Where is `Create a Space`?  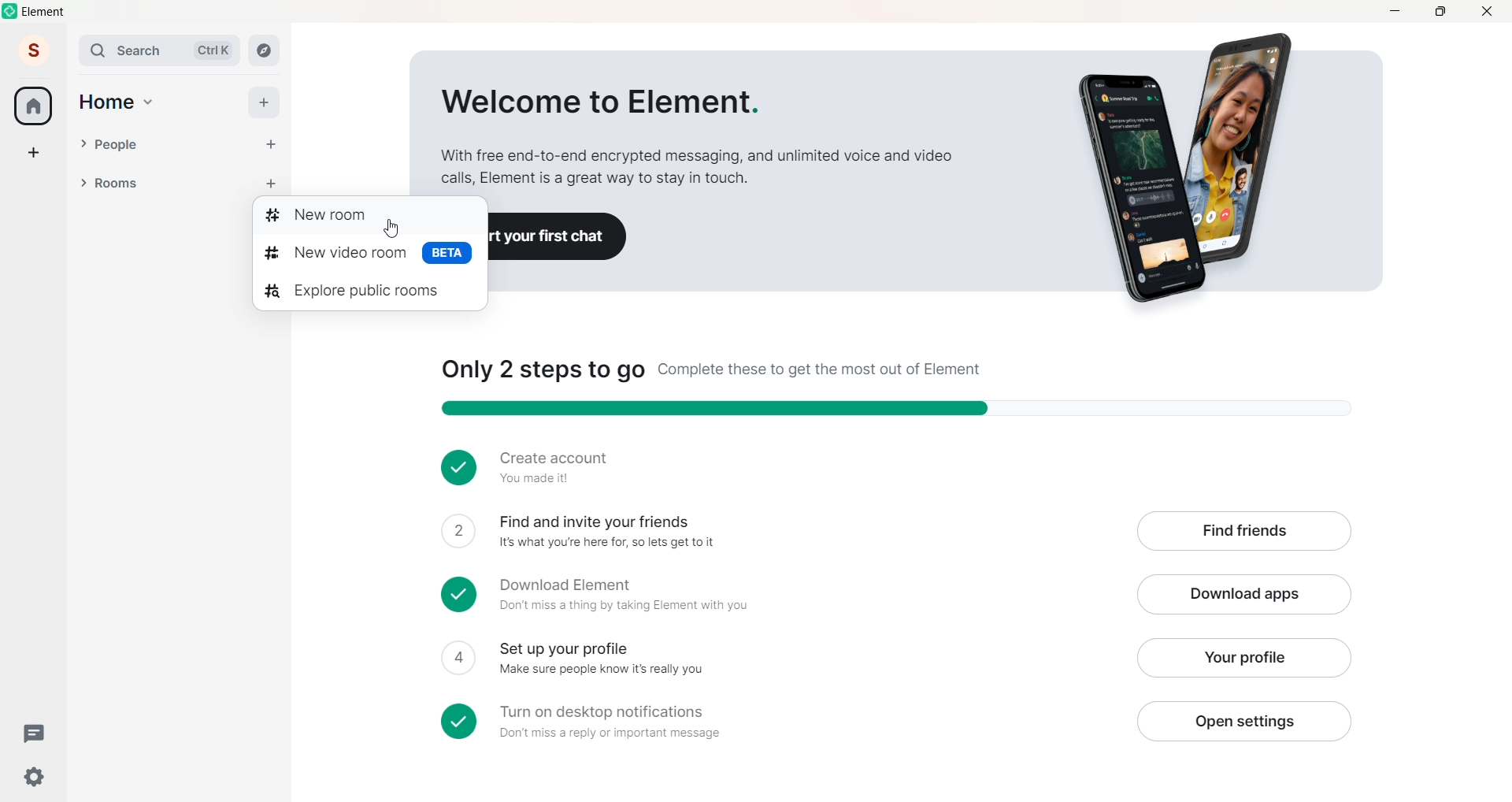 Create a Space is located at coordinates (34, 152).